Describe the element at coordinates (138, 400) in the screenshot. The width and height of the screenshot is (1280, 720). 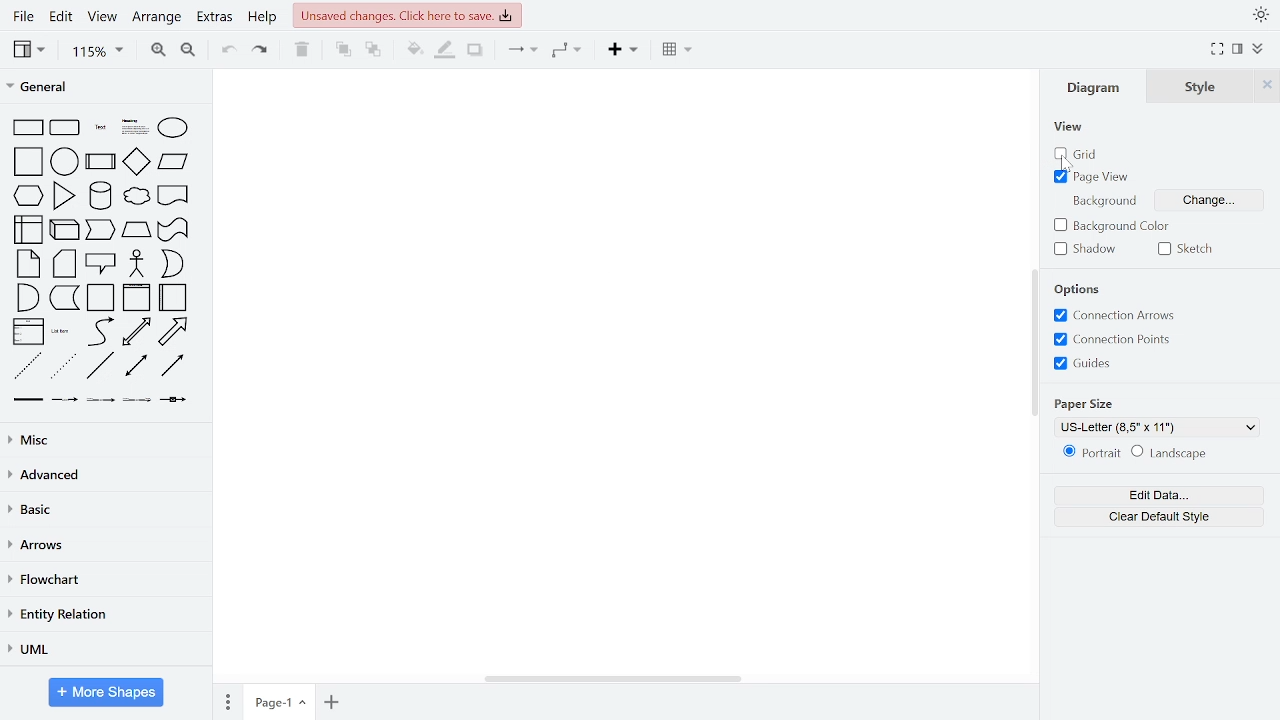
I see `connector with 3 labels` at that location.